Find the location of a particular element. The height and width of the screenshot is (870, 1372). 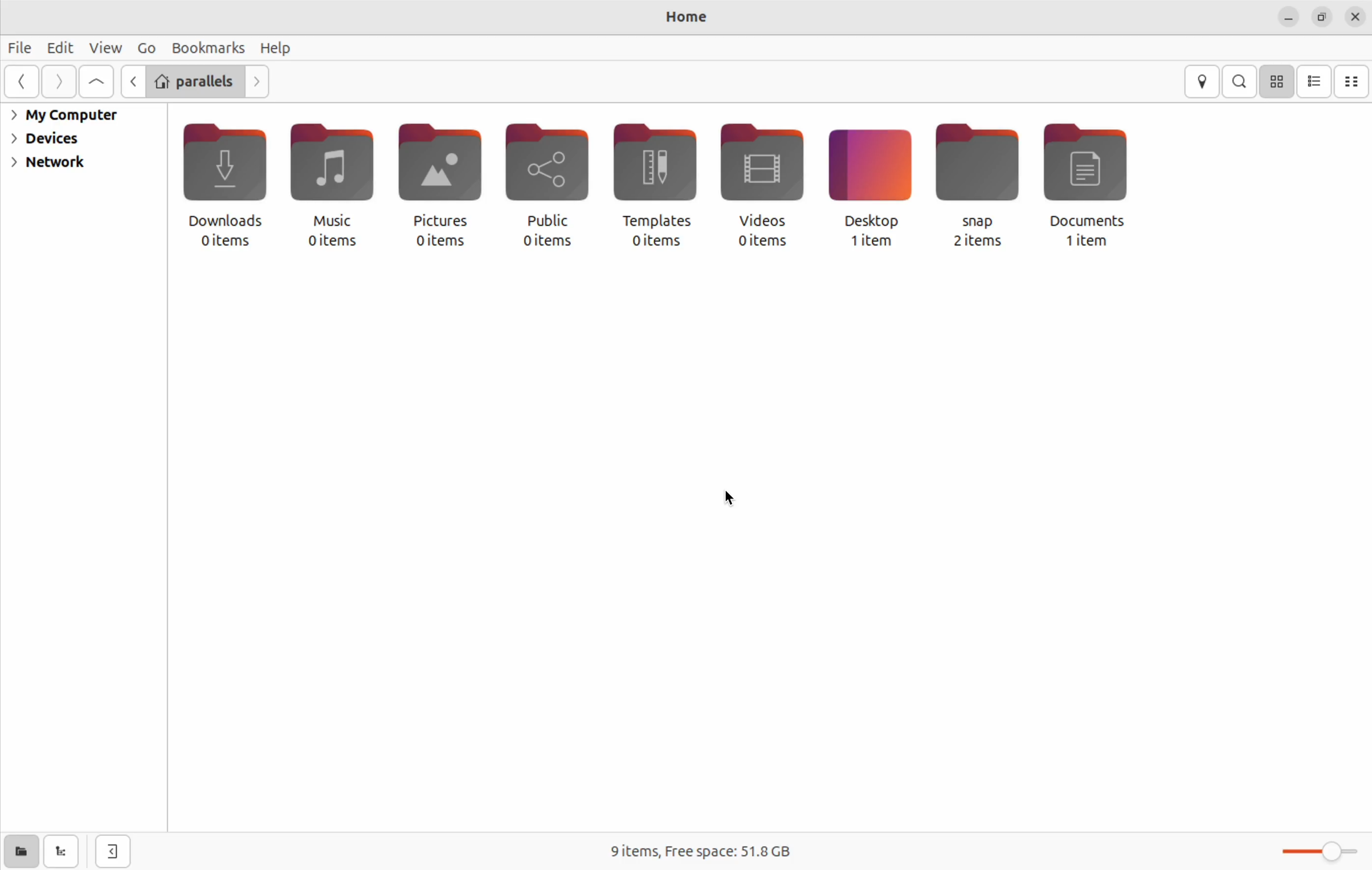

bookmarks is located at coordinates (209, 47).